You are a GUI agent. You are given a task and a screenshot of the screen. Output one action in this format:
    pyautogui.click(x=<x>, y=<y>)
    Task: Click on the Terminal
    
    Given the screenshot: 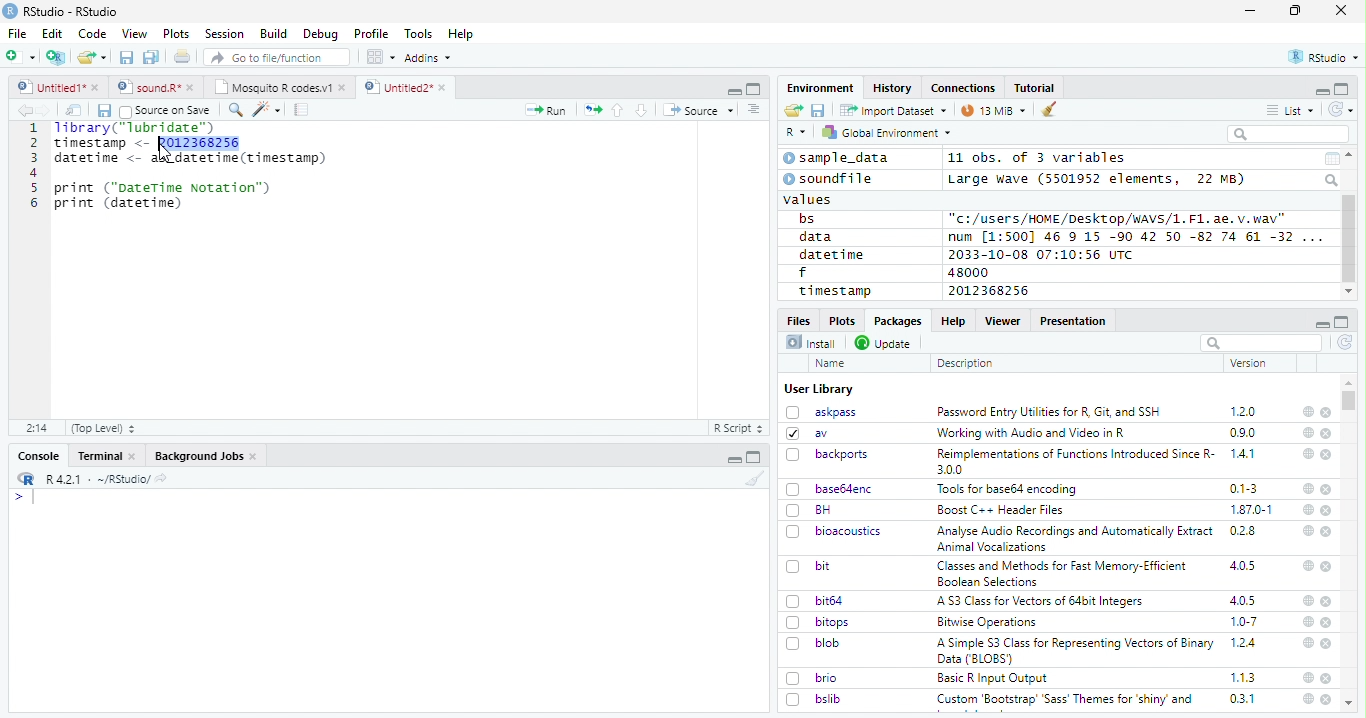 What is the action you would take?
    pyautogui.click(x=106, y=456)
    